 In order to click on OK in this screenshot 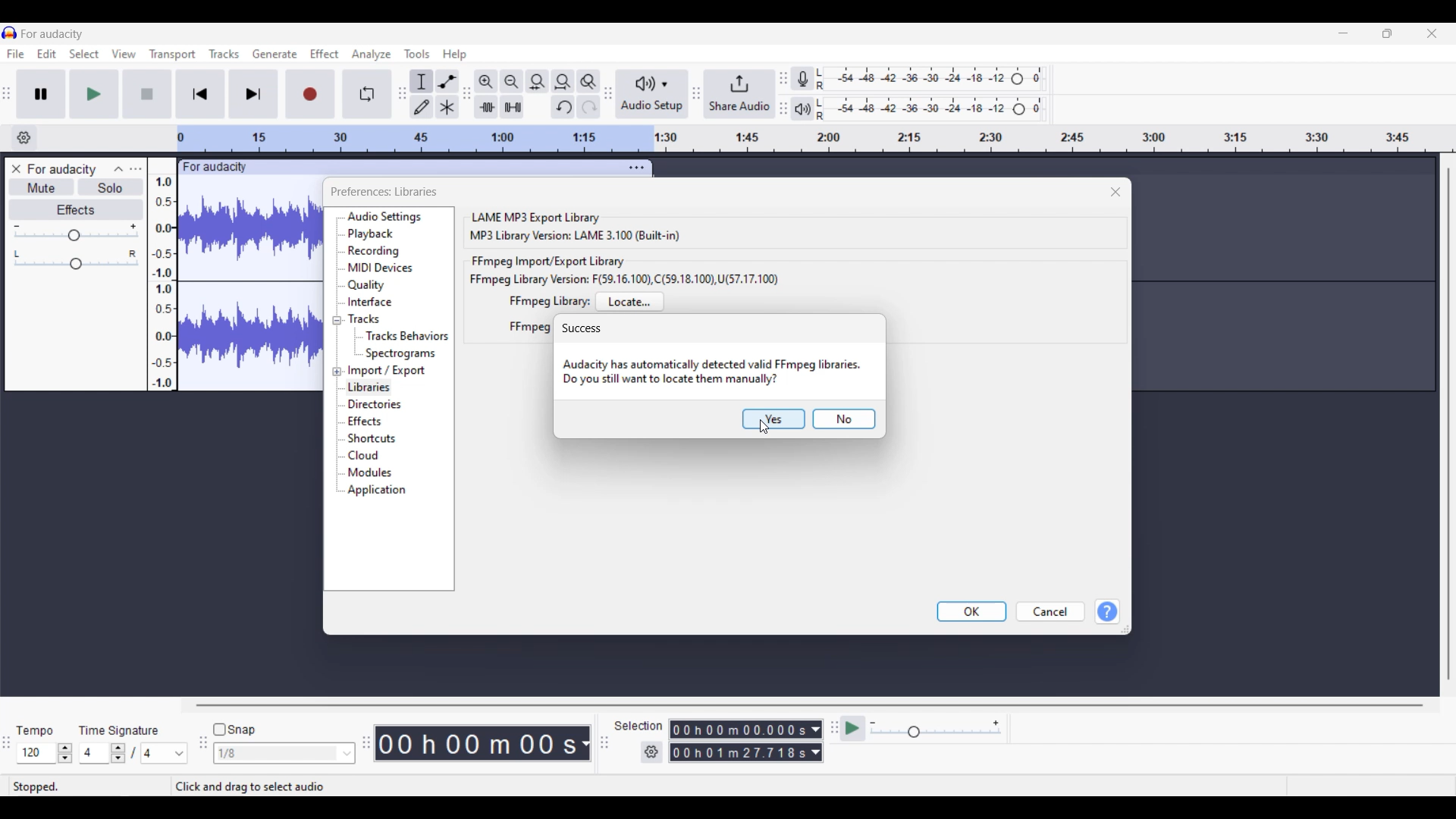, I will do `click(971, 612)`.